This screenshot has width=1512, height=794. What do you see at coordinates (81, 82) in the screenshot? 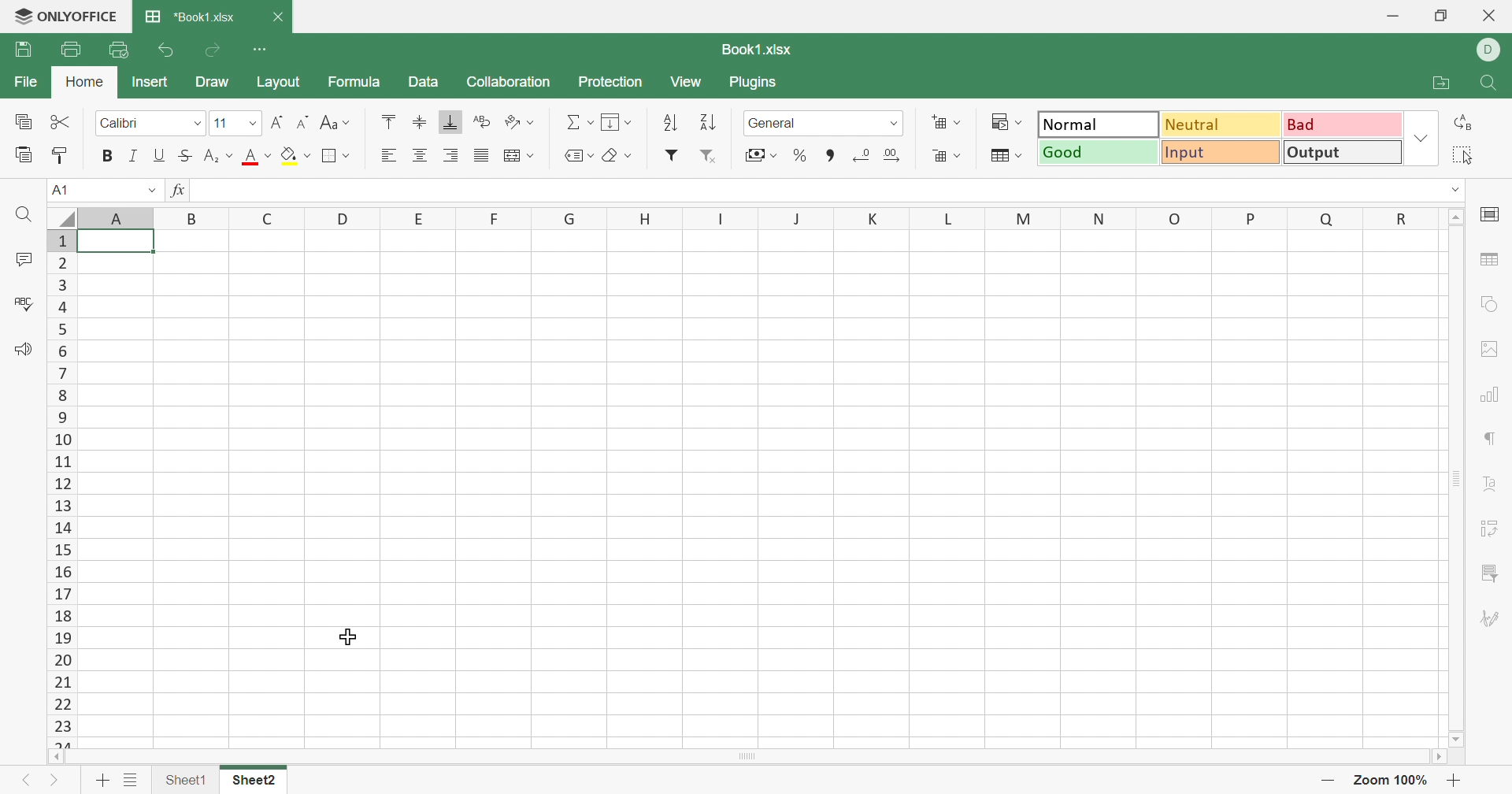
I see `Home` at bounding box center [81, 82].